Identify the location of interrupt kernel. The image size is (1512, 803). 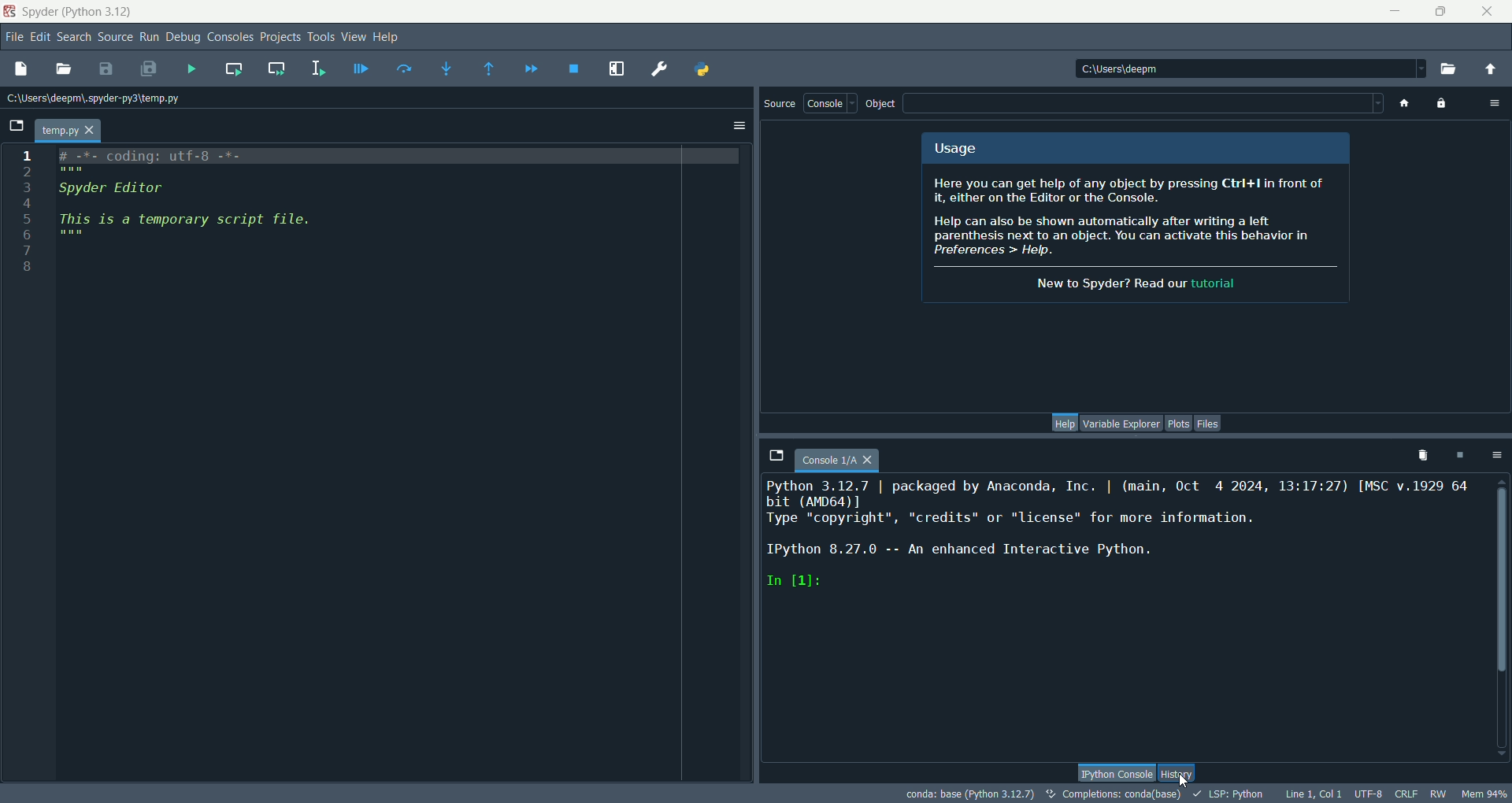
(1458, 453).